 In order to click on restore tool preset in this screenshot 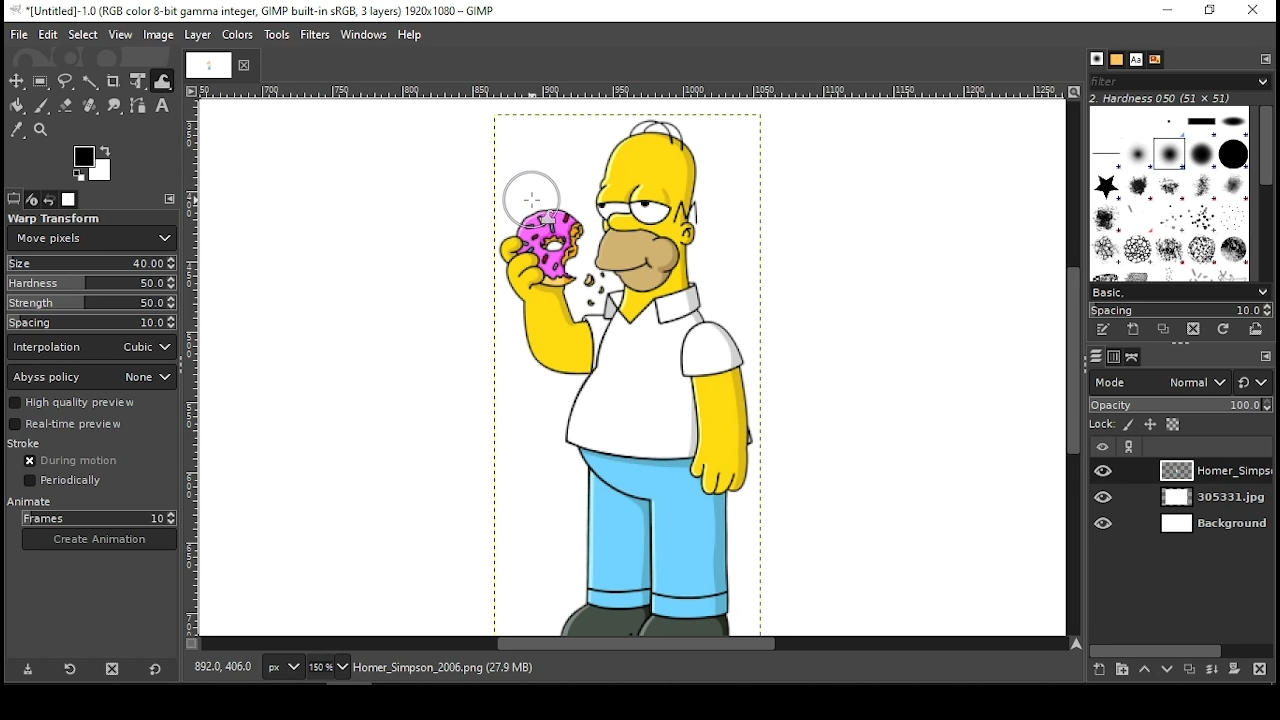, I will do `click(69, 668)`.